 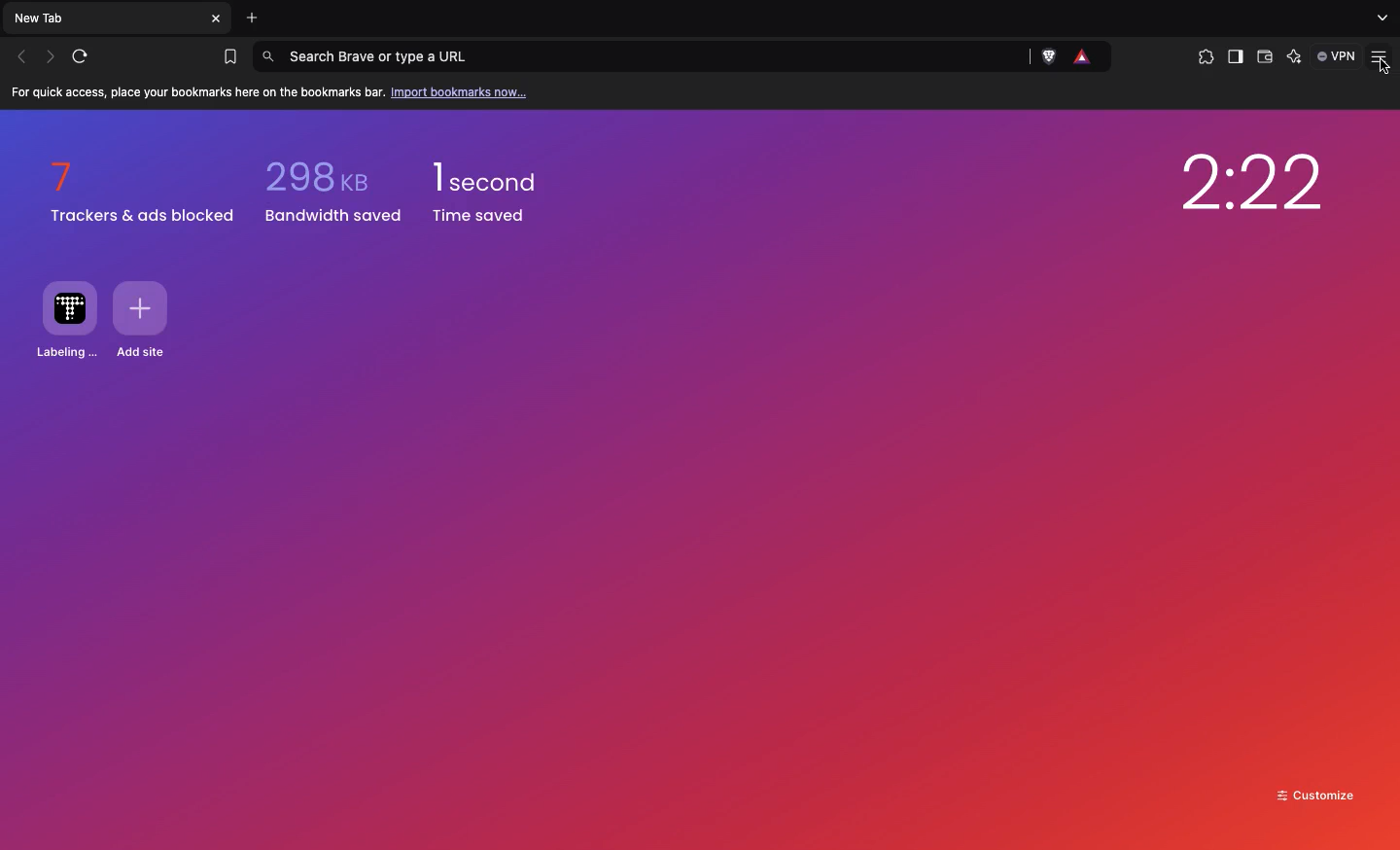 What do you see at coordinates (497, 193) in the screenshot?
I see `1 second time saved` at bounding box center [497, 193].